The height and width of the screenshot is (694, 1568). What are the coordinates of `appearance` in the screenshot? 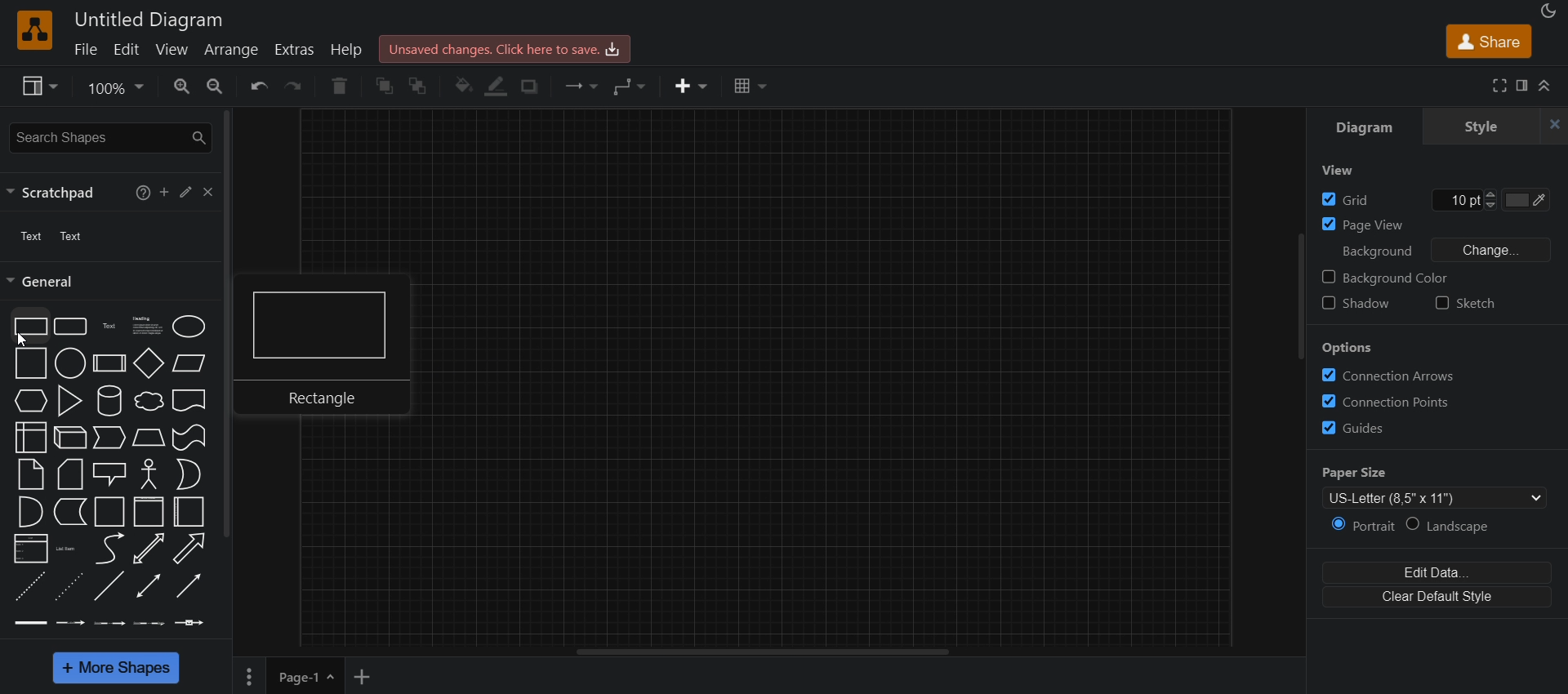 It's located at (1548, 10).